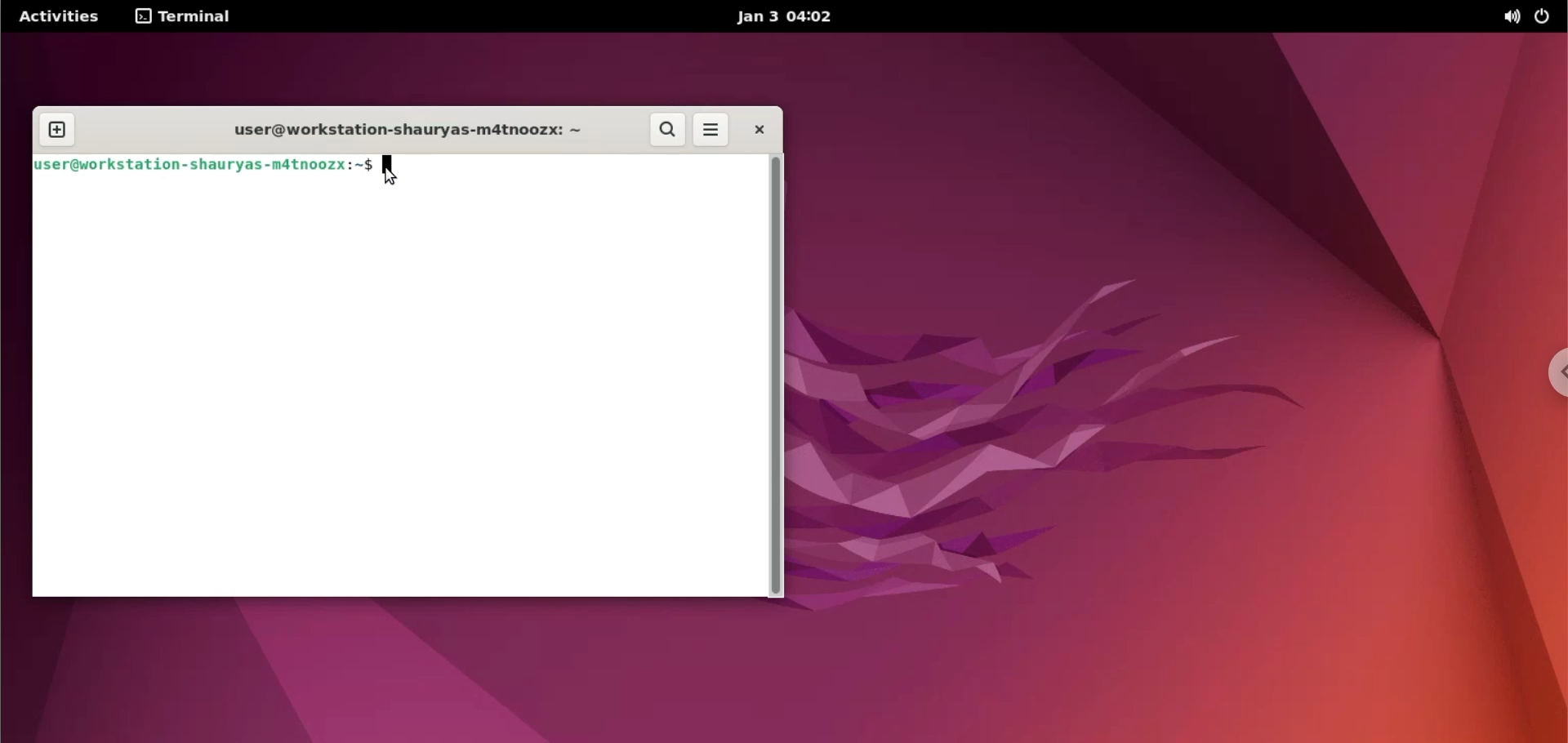  I want to click on chrome options, so click(1543, 369).